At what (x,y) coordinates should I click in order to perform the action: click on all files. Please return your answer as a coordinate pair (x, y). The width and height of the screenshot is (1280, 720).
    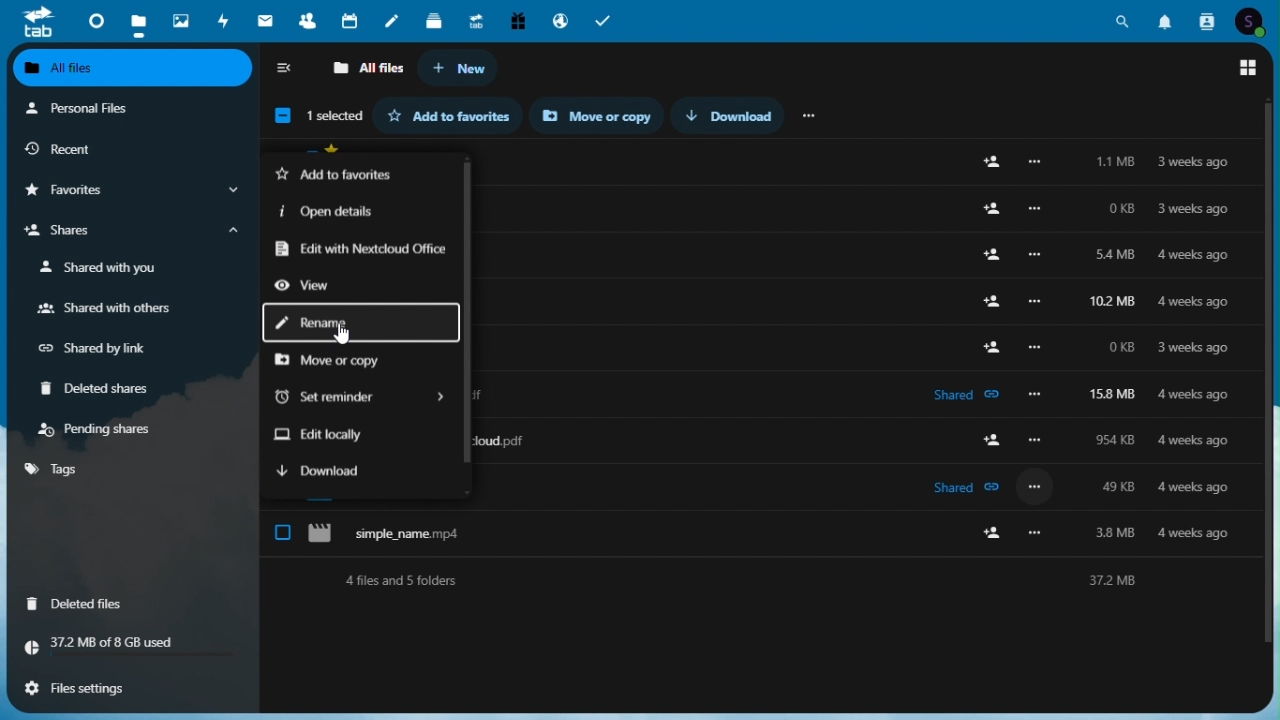
    Looking at the image, I should click on (367, 69).